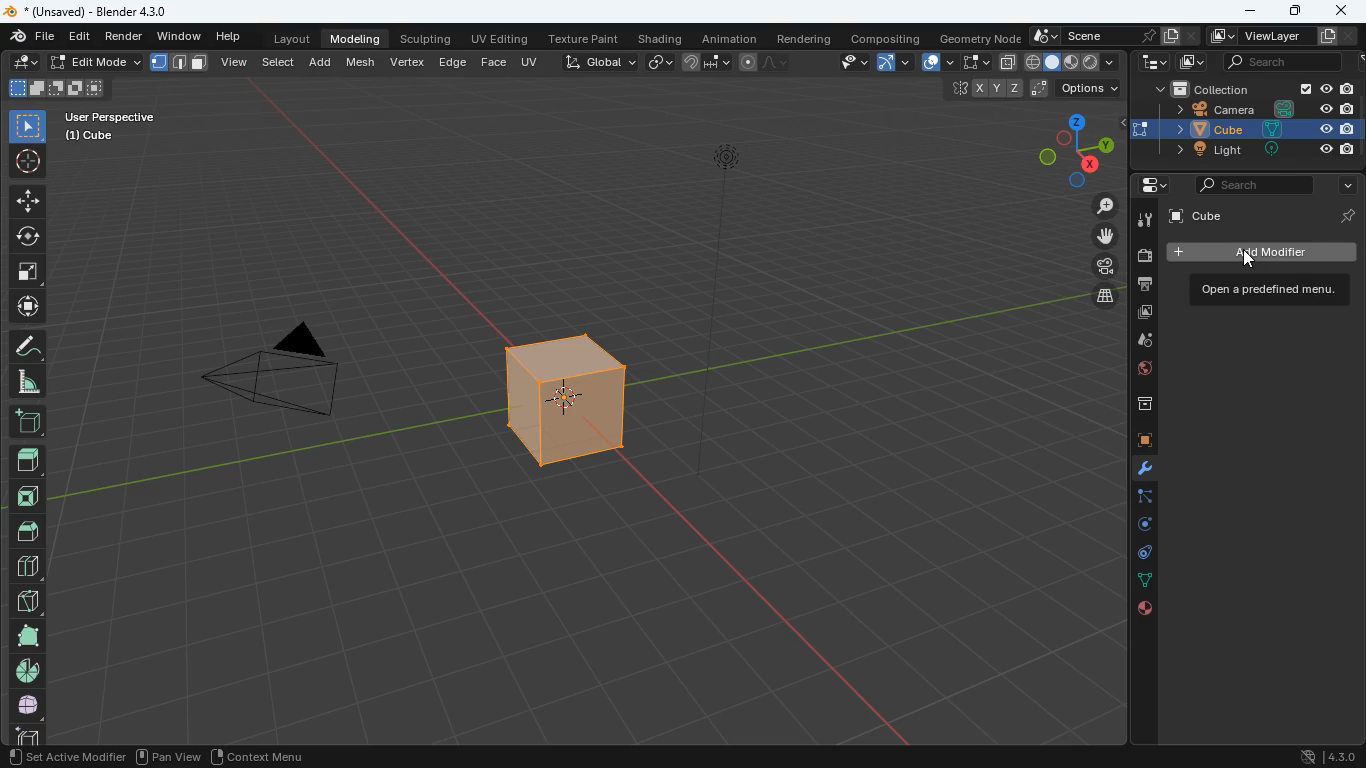 Image resolution: width=1366 pixels, height=768 pixels. What do you see at coordinates (1140, 525) in the screenshot?
I see `rotation` at bounding box center [1140, 525].